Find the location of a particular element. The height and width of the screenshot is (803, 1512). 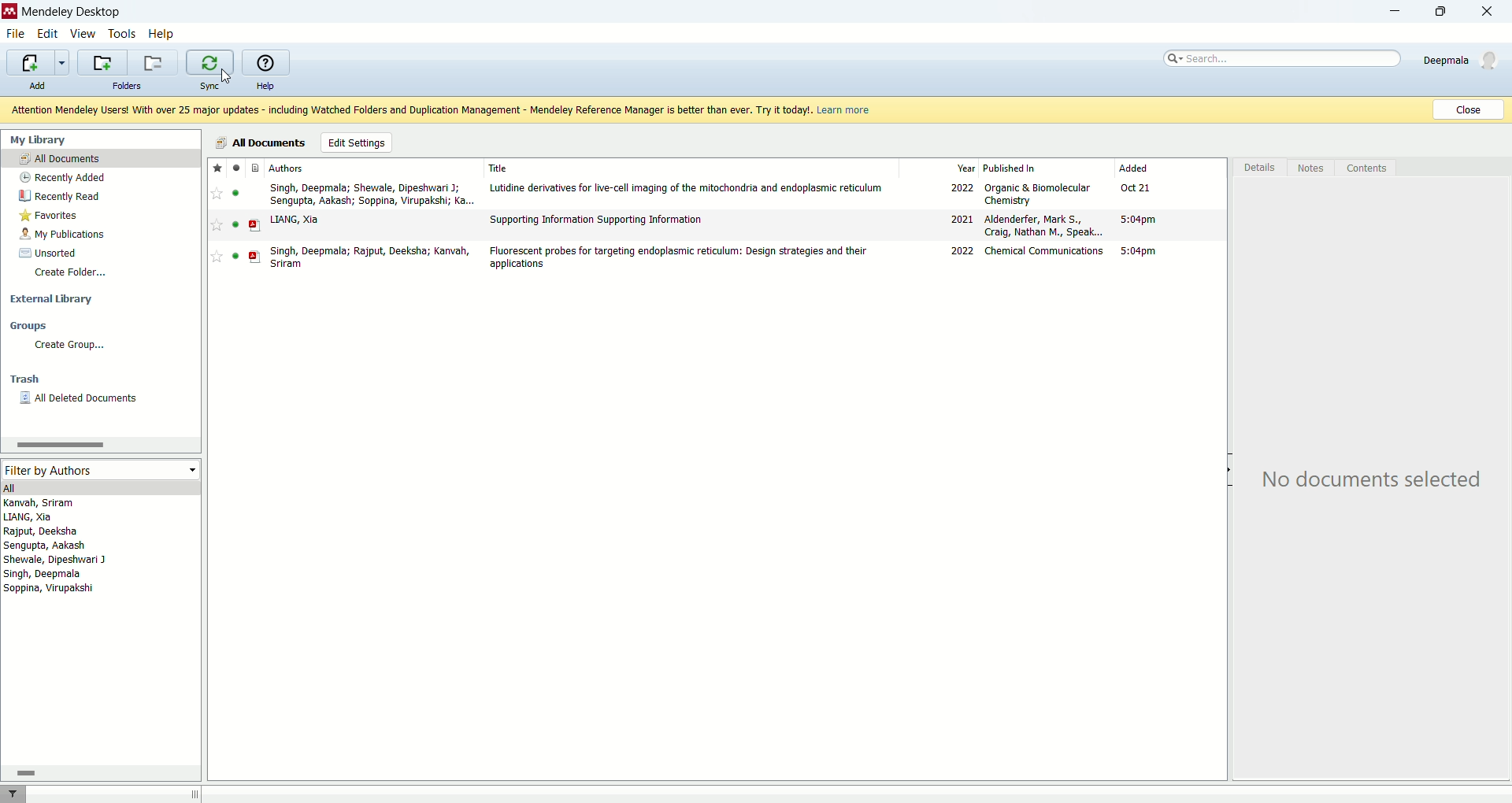

LIANG, Xia is located at coordinates (34, 517).